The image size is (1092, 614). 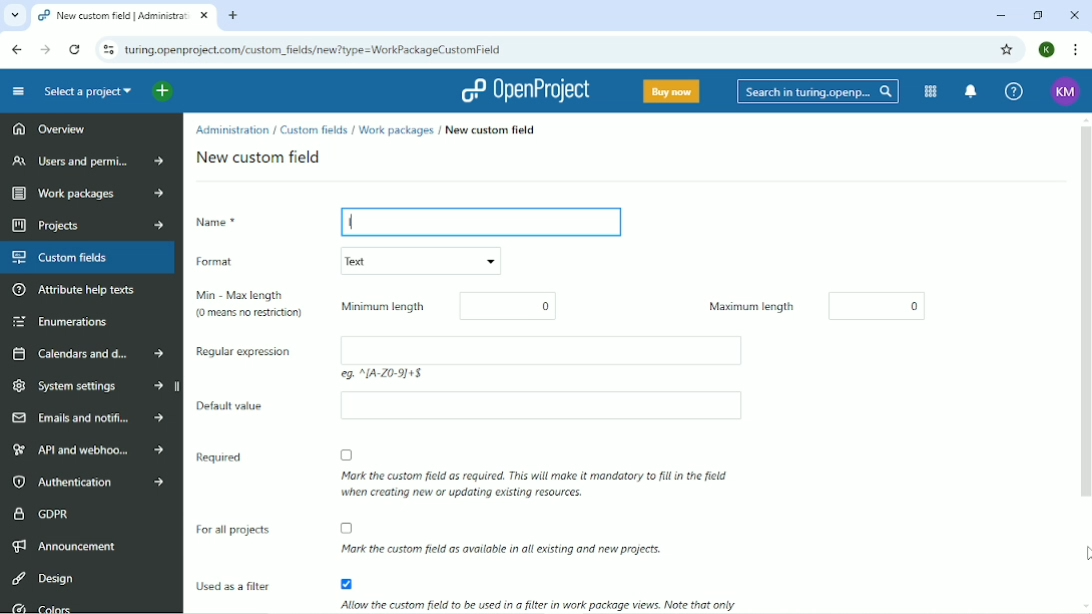 What do you see at coordinates (43, 577) in the screenshot?
I see `Design` at bounding box center [43, 577].